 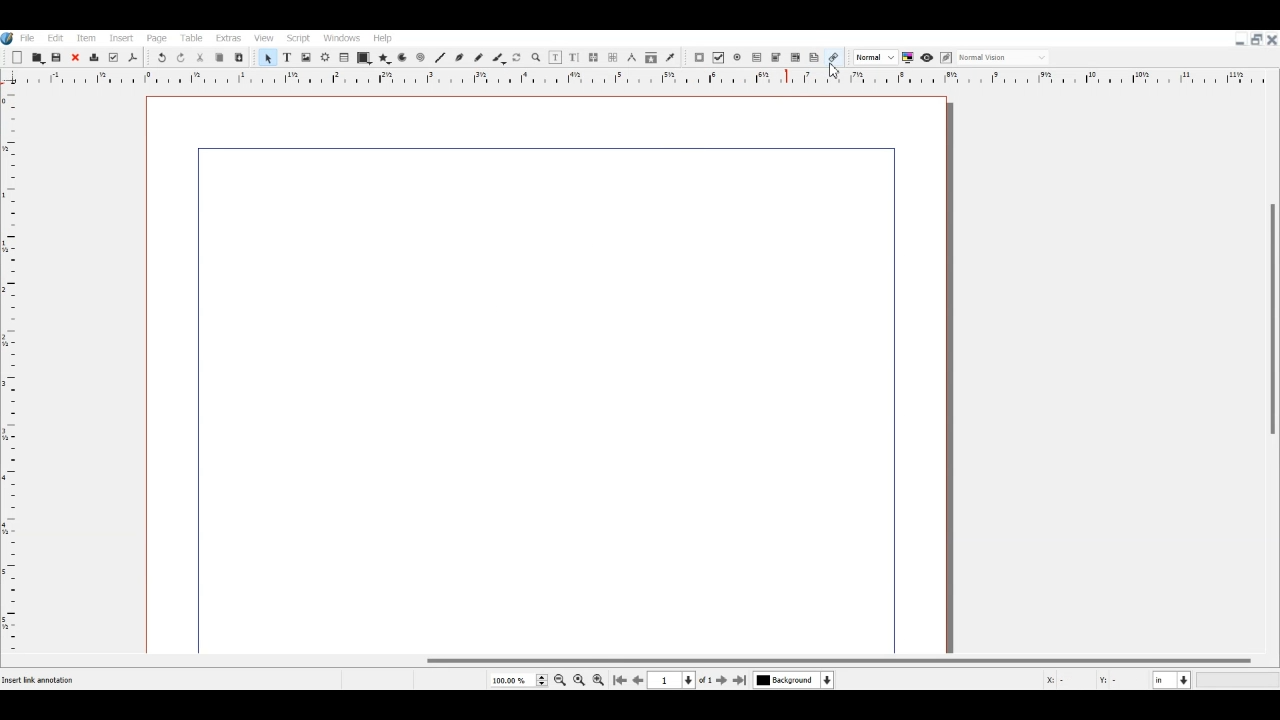 What do you see at coordinates (182, 58) in the screenshot?
I see `Redo` at bounding box center [182, 58].